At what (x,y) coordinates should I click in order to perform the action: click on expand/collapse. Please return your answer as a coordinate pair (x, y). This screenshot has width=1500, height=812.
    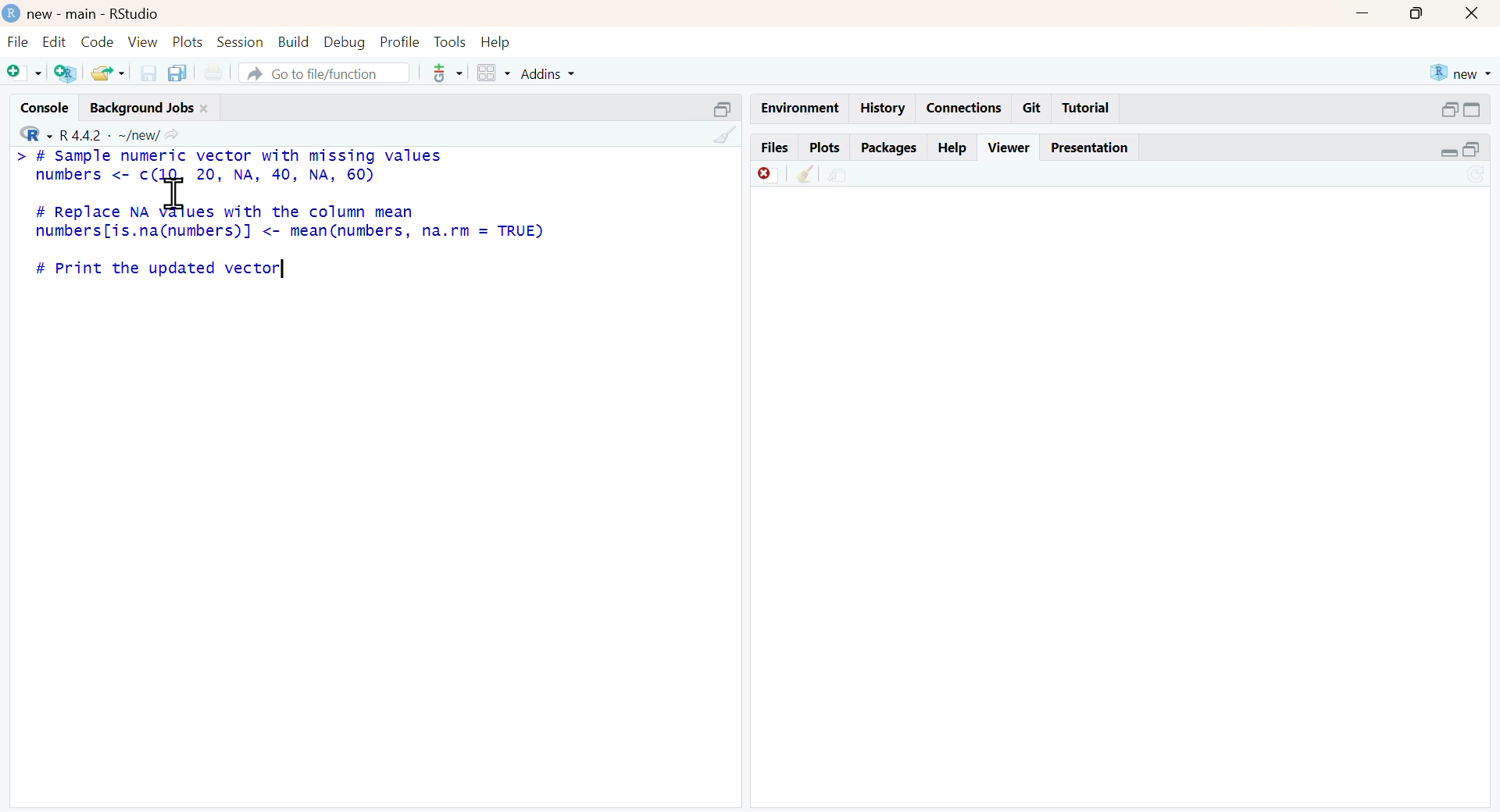
    Looking at the image, I should click on (1472, 109).